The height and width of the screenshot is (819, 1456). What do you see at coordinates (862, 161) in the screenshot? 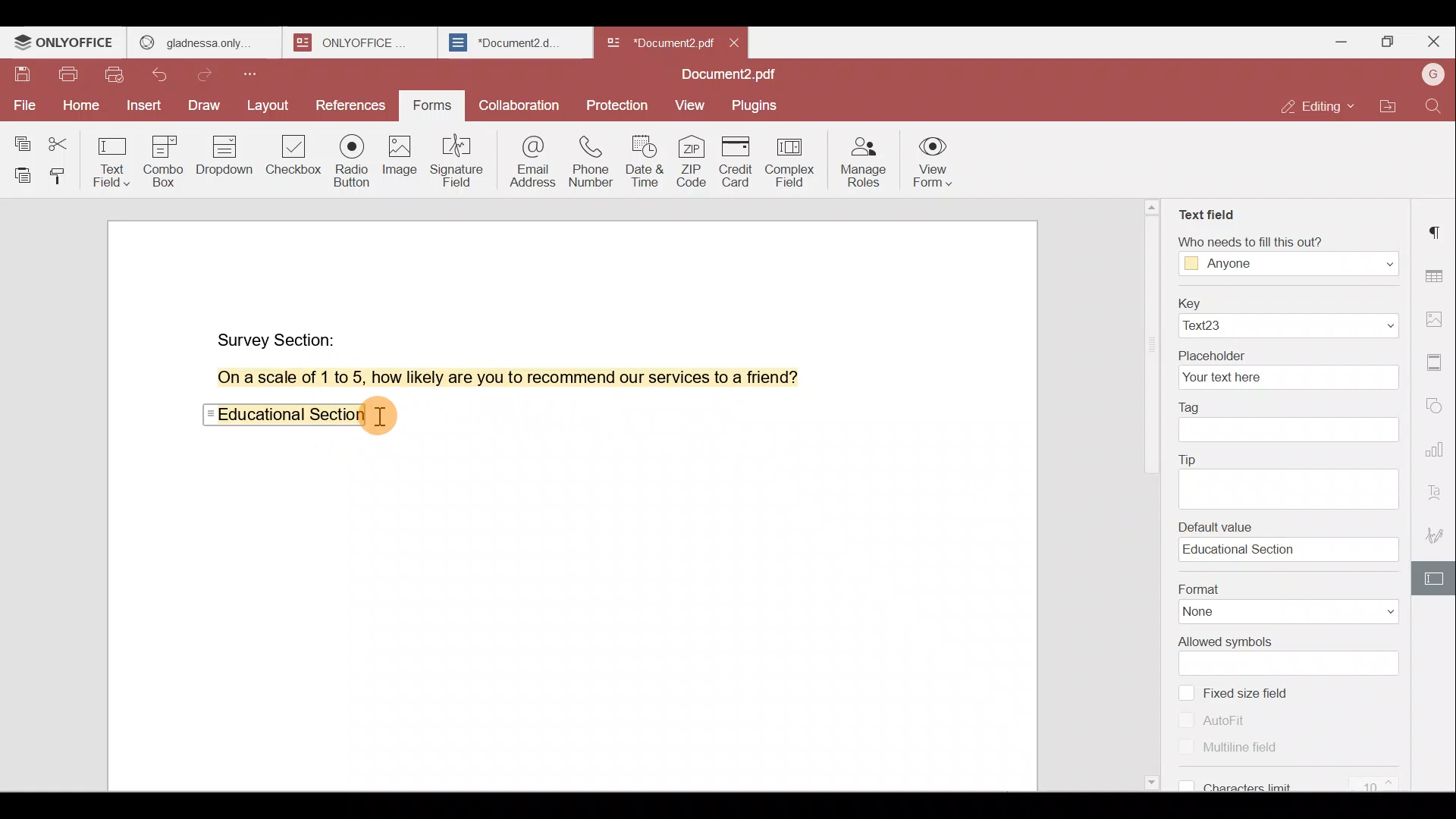
I see `Manage roles` at bounding box center [862, 161].